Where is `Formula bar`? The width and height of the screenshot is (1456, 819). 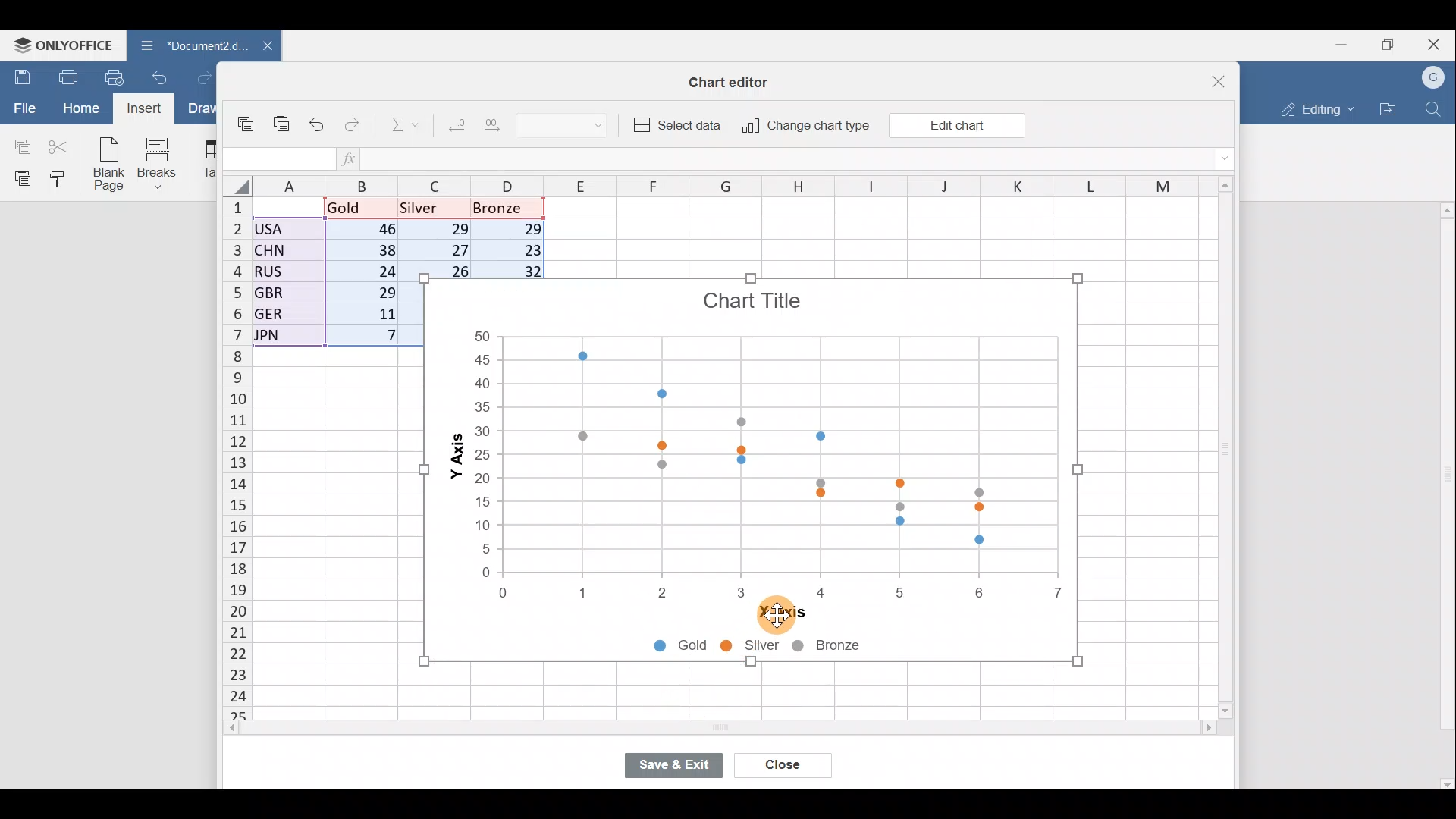
Formula bar is located at coordinates (791, 158).